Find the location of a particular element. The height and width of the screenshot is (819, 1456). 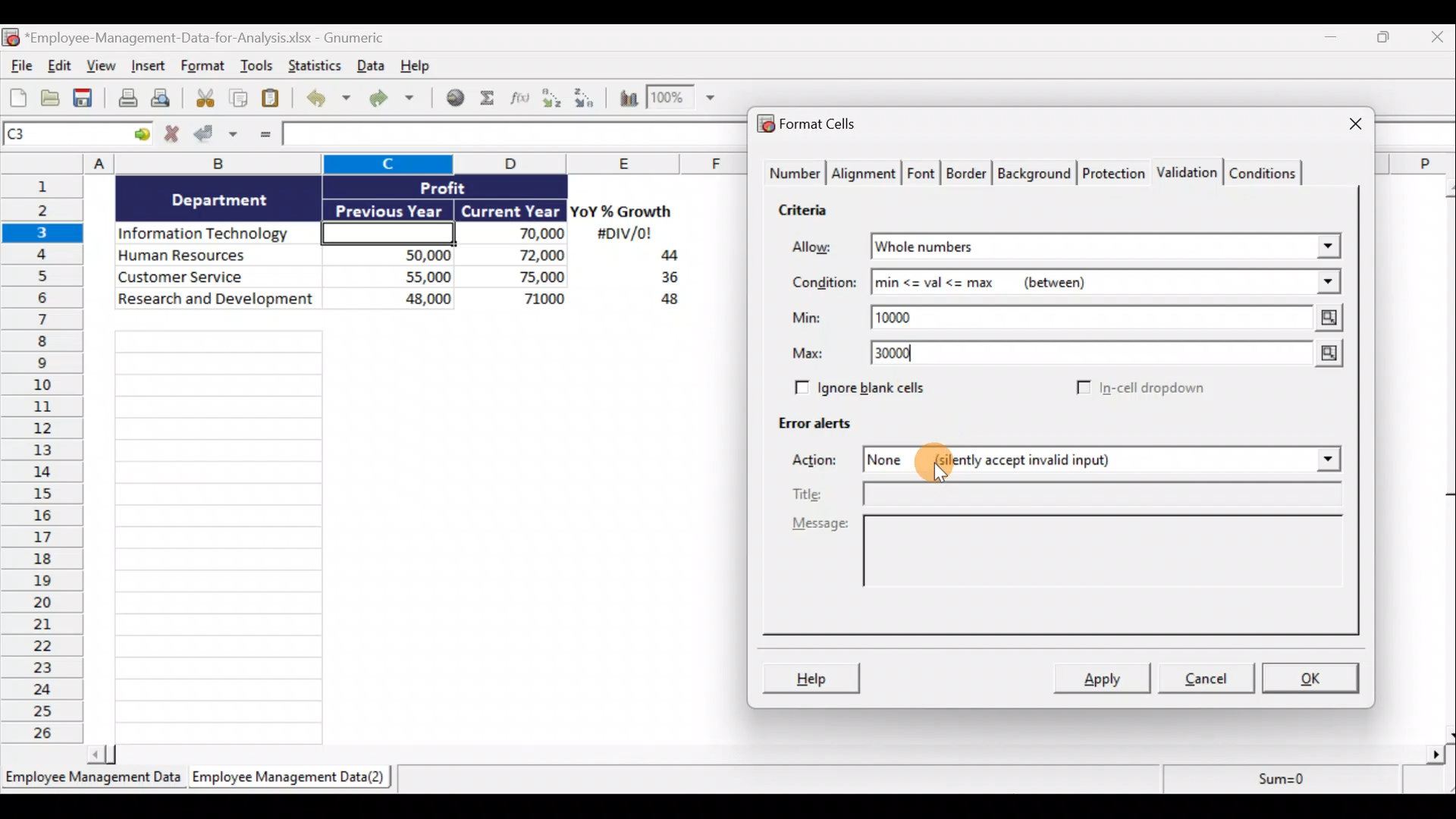

Actions drop down is located at coordinates (1324, 462).